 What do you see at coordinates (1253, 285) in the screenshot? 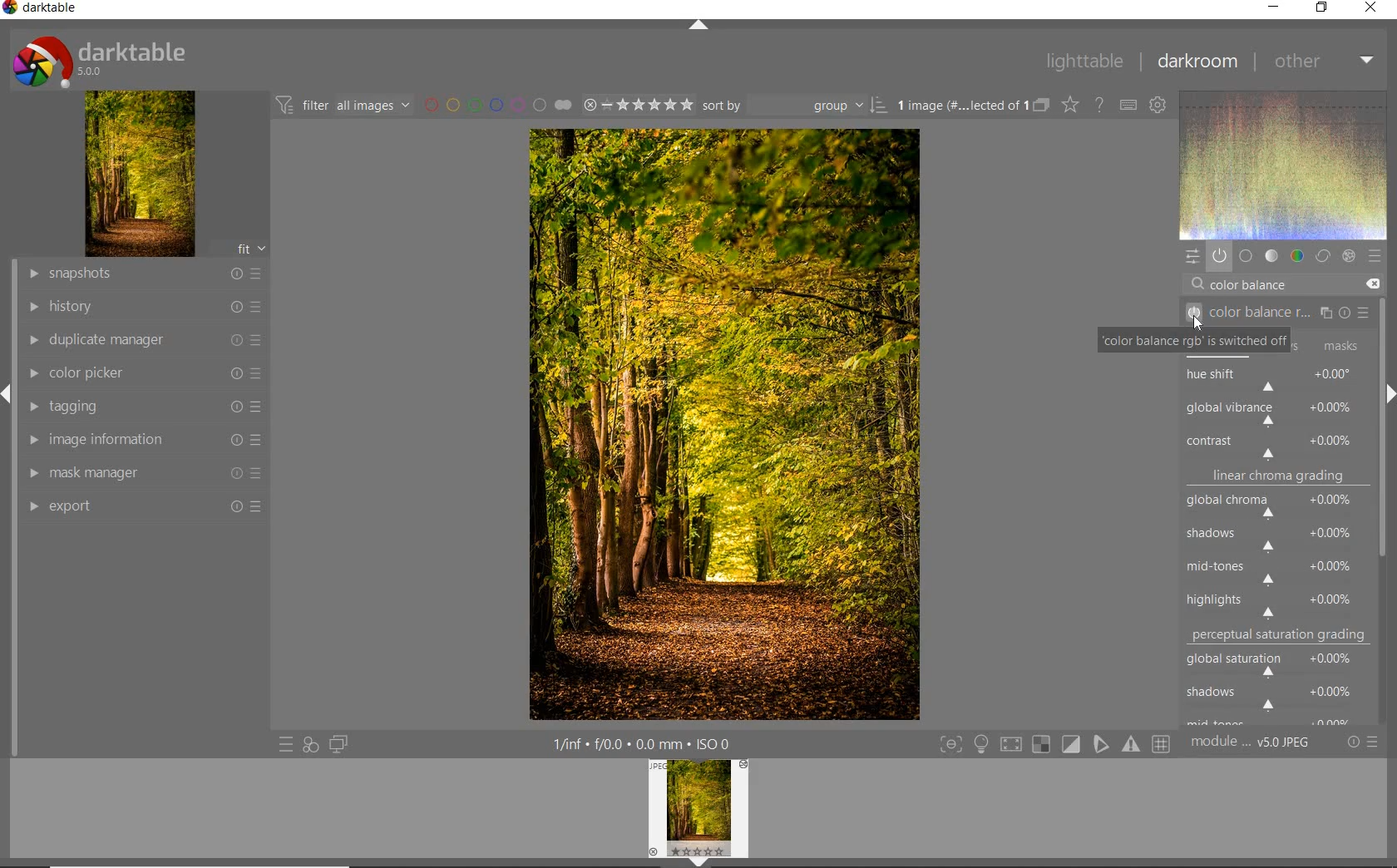
I see `COLOR BALANCE` at bounding box center [1253, 285].